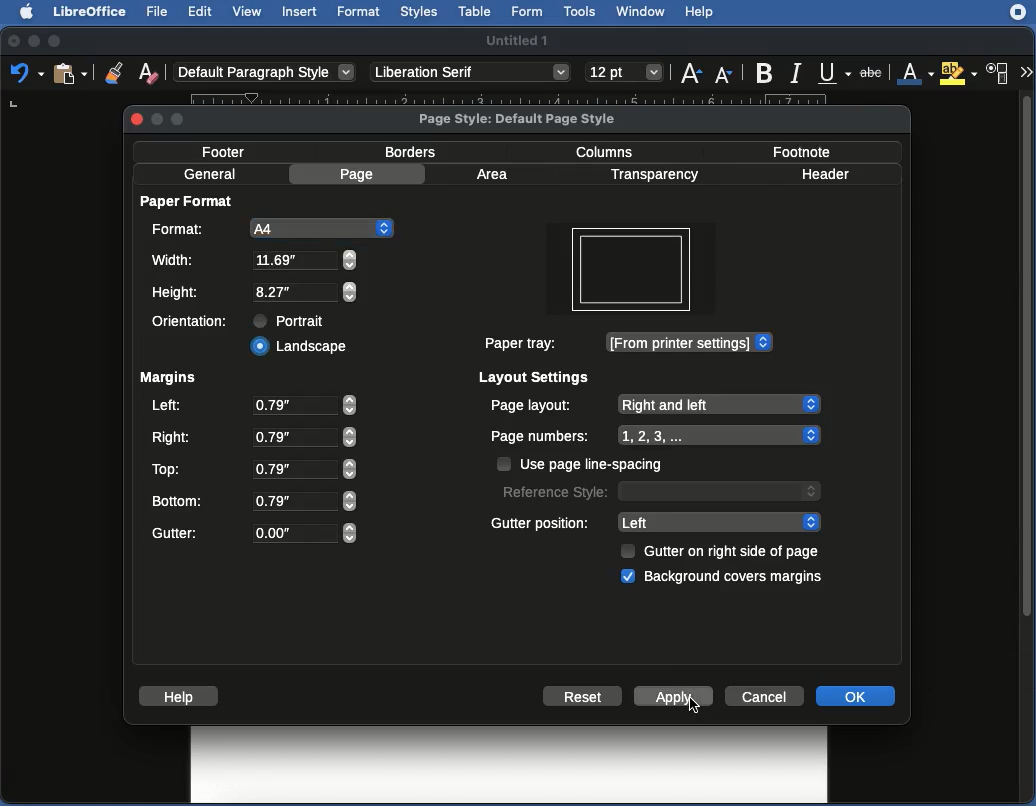 This screenshot has width=1036, height=806. What do you see at coordinates (175, 260) in the screenshot?
I see `Width` at bounding box center [175, 260].